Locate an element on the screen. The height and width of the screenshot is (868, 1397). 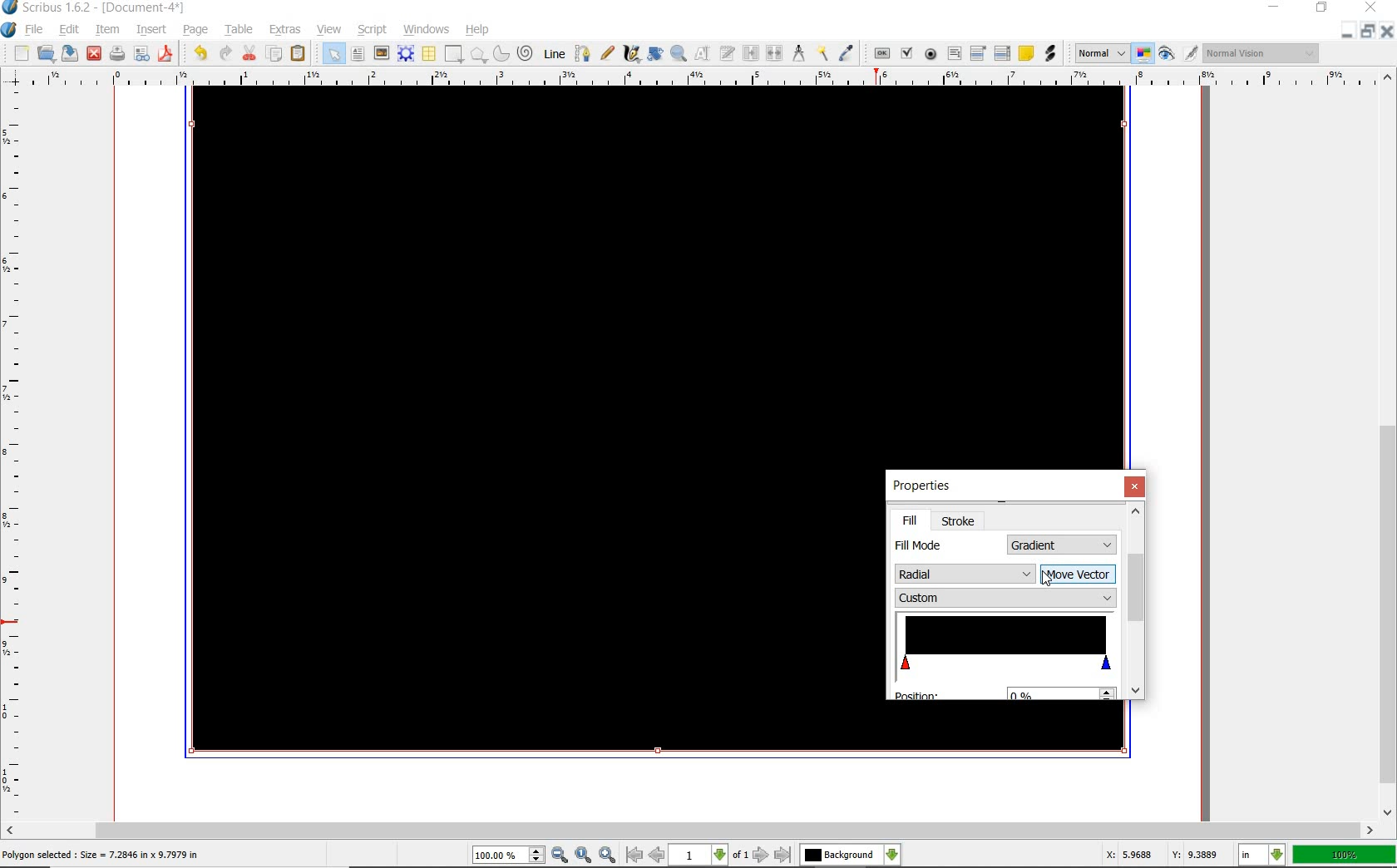
script is located at coordinates (374, 30).